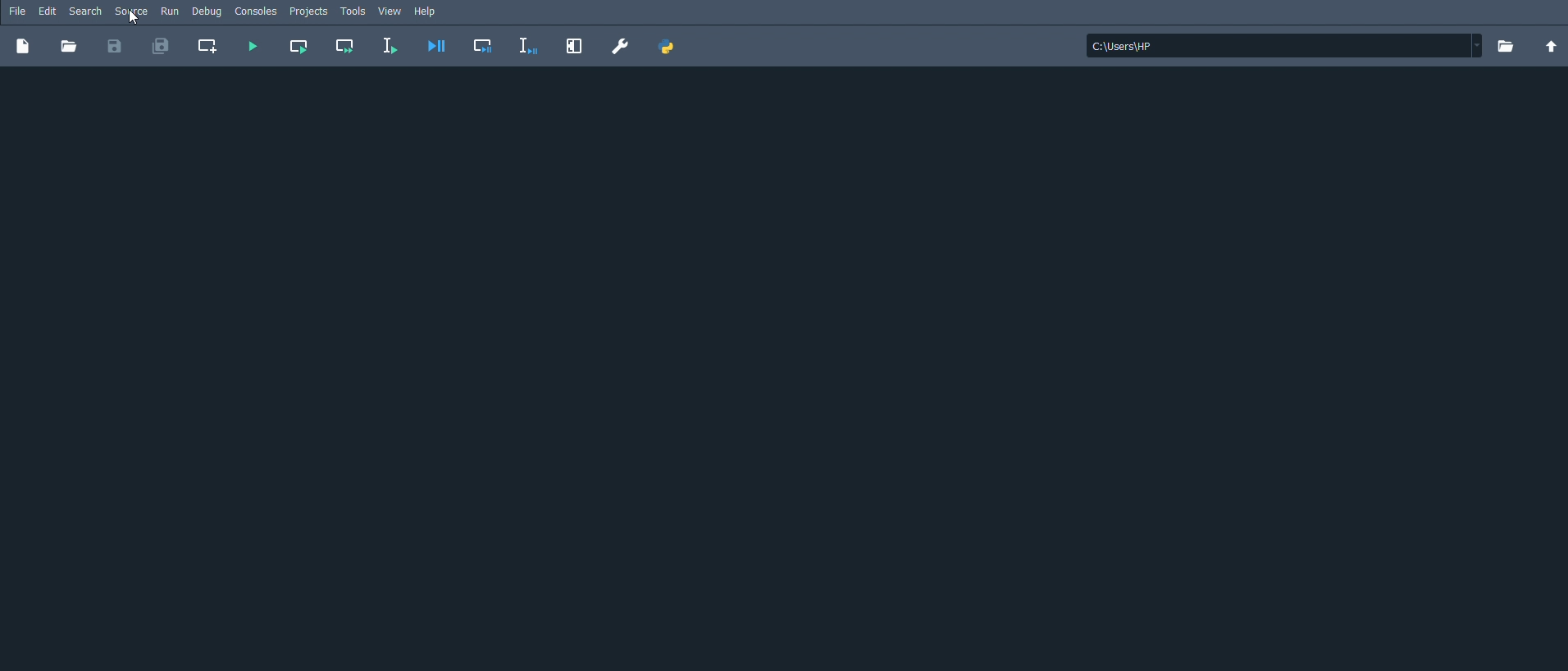 The width and height of the screenshot is (1568, 671). What do you see at coordinates (22, 47) in the screenshot?
I see `New file` at bounding box center [22, 47].